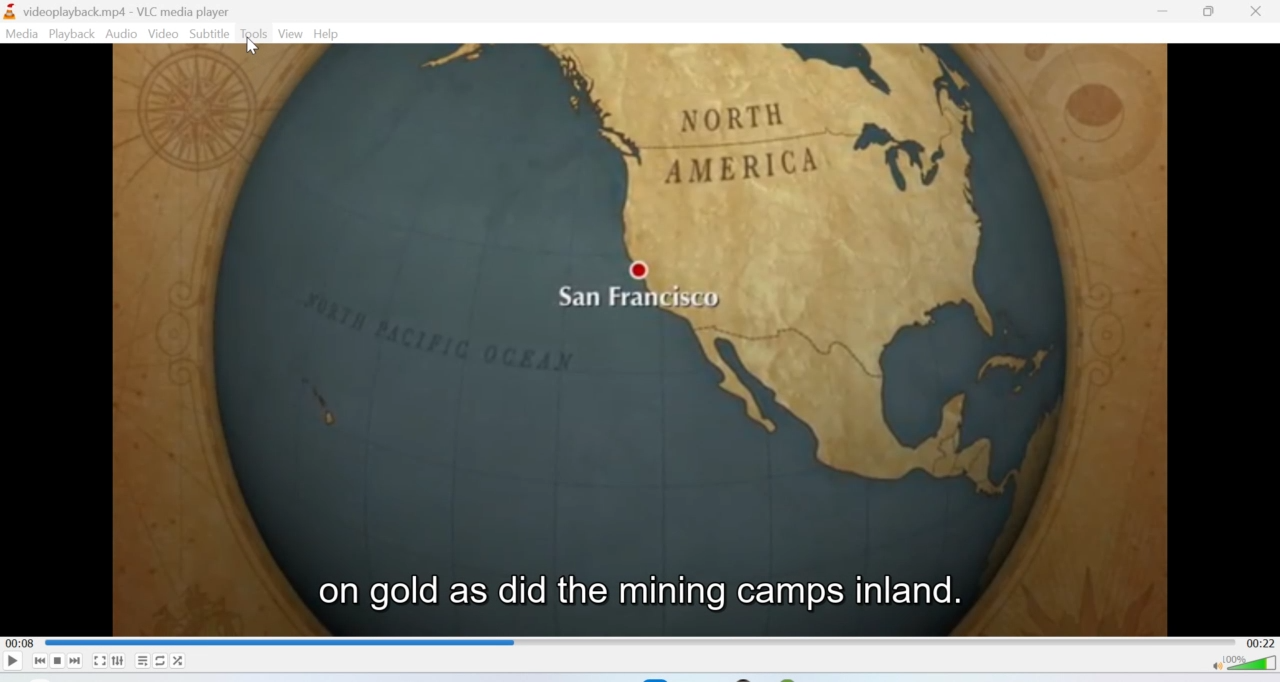 The image size is (1280, 682). I want to click on Shuffle, so click(179, 662).